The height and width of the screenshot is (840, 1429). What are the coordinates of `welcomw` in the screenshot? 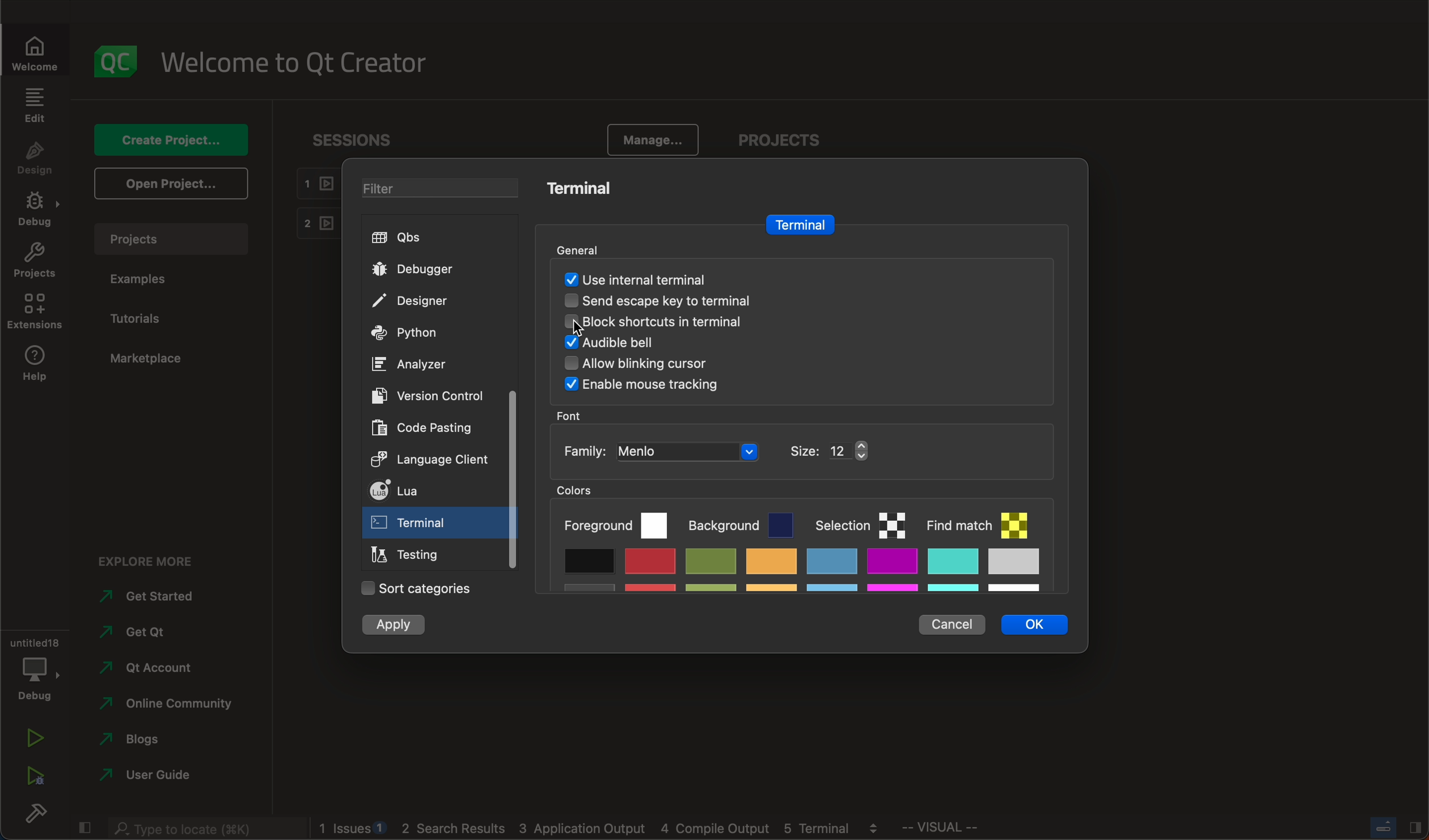 It's located at (39, 46).